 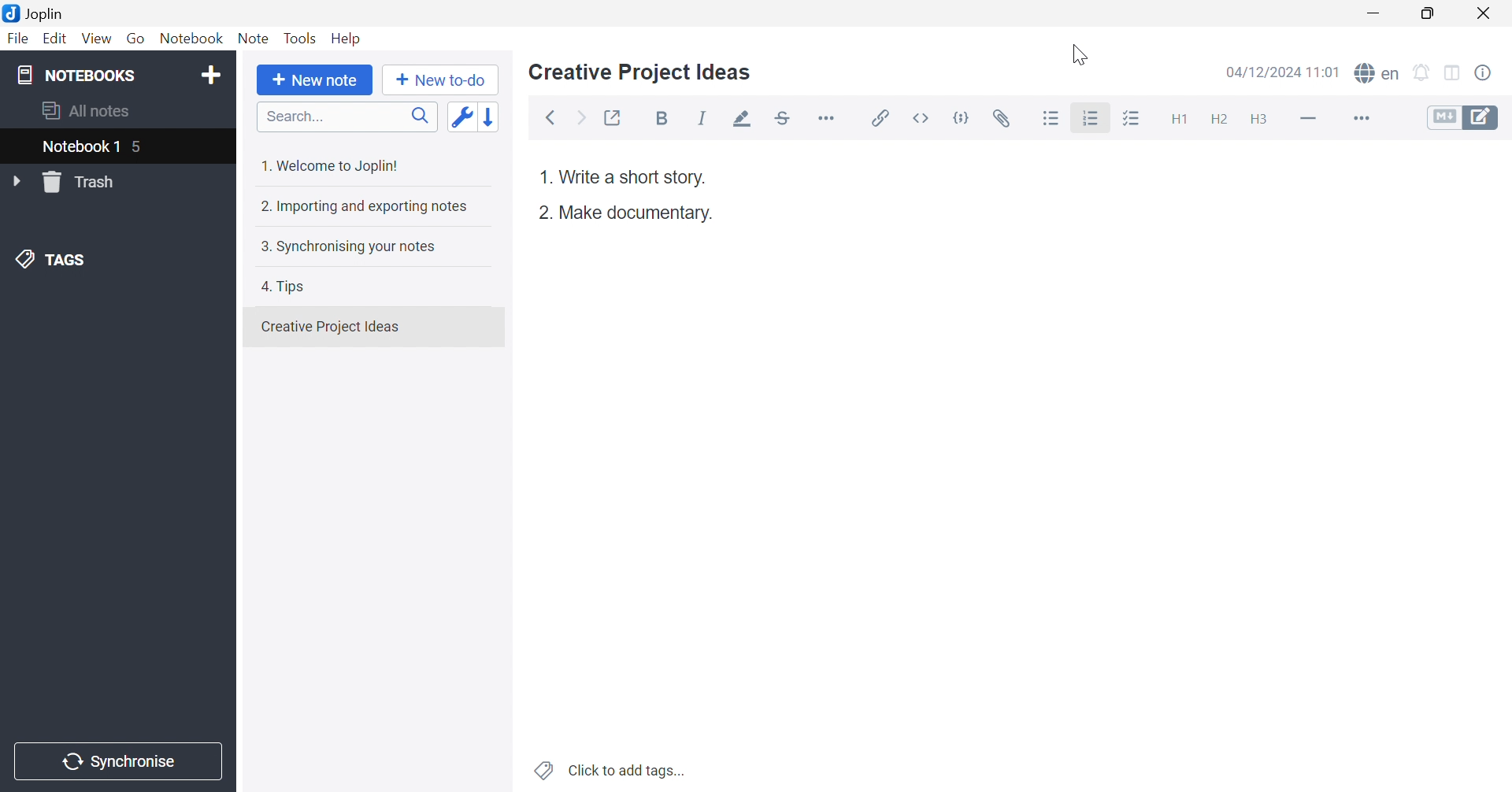 What do you see at coordinates (919, 117) in the screenshot?
I see `Inline code` at bounding box center [919, 117].